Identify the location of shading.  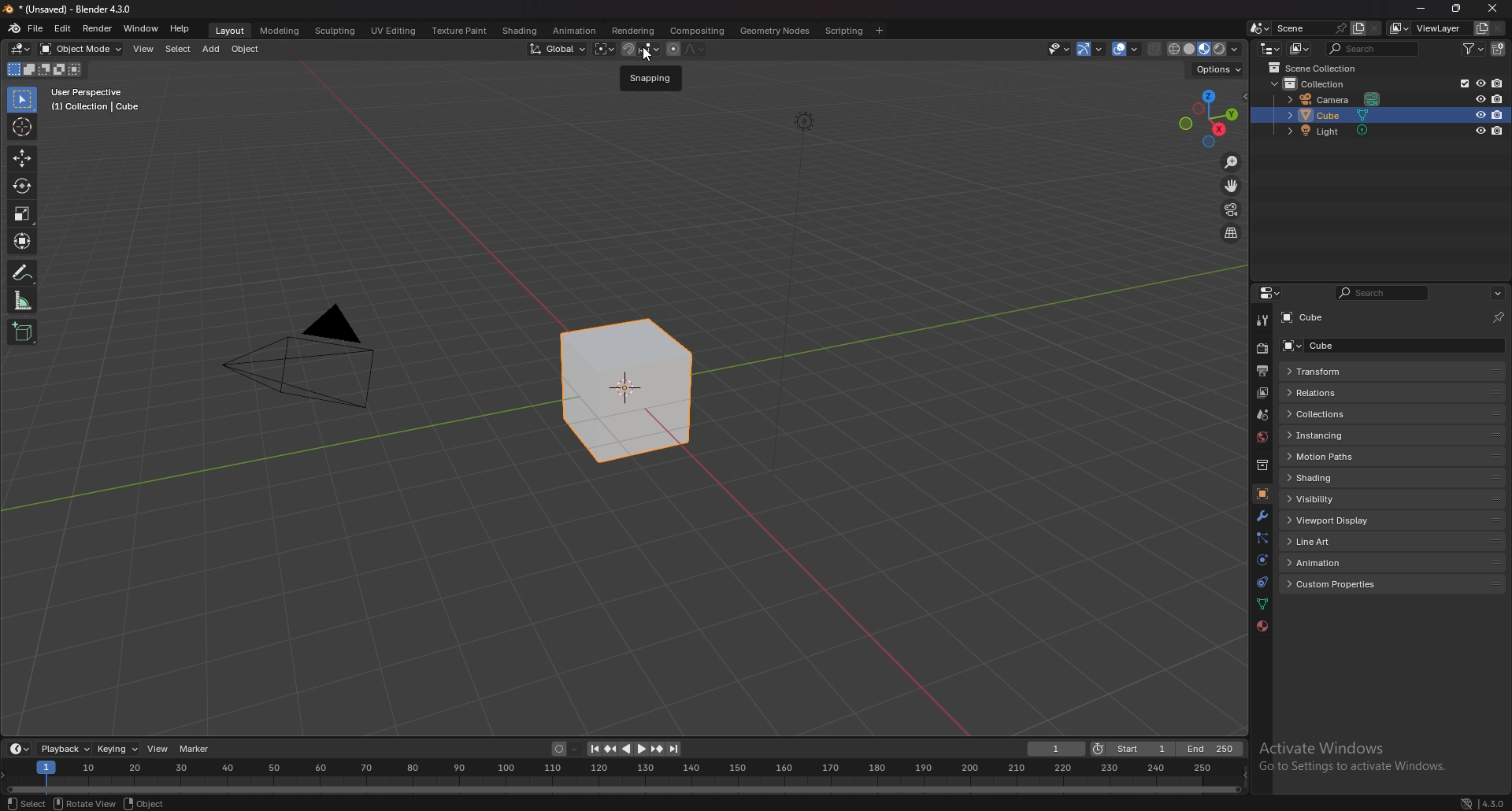
(519, 31).